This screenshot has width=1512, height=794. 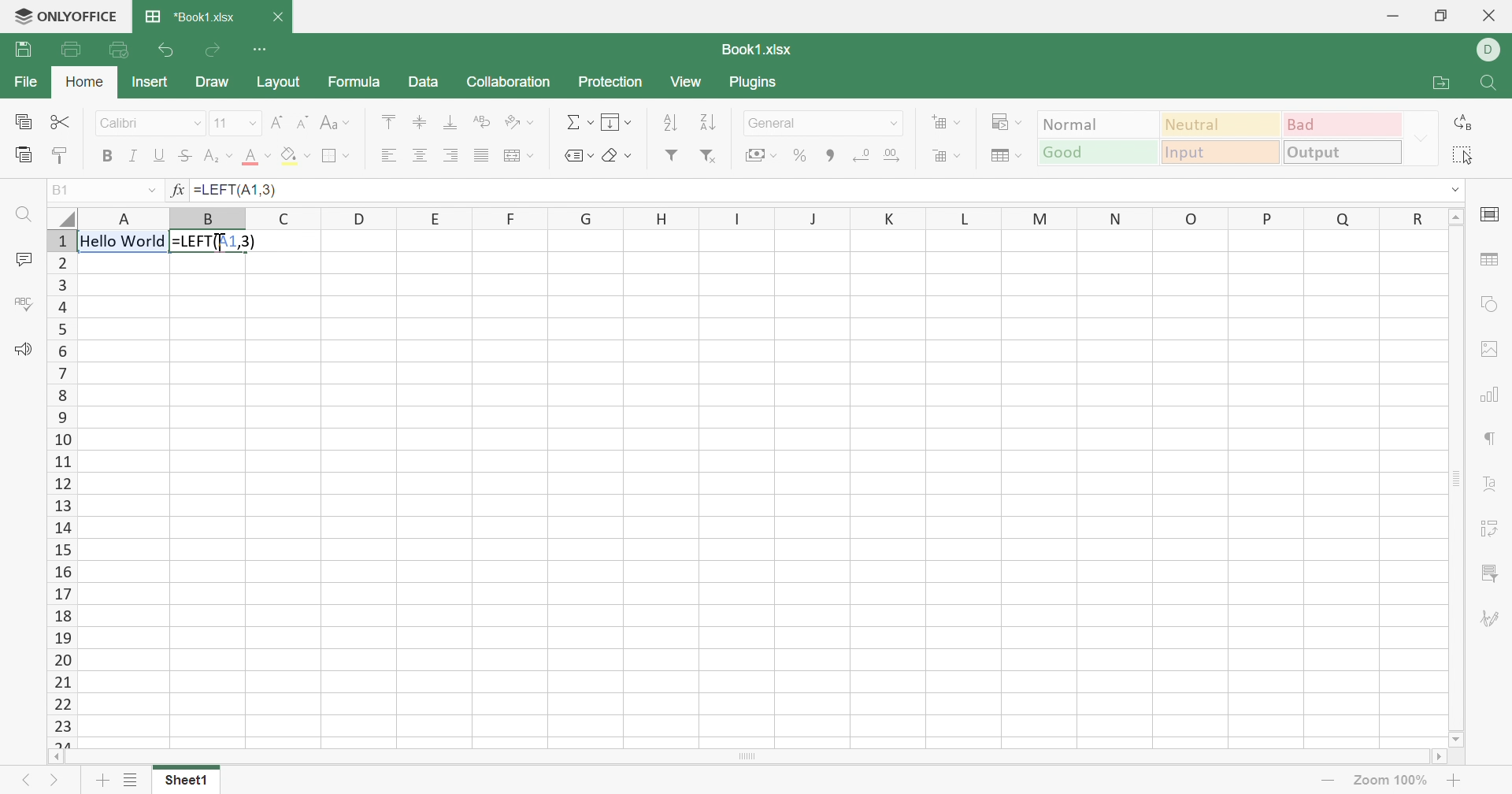 I want to click on Italic, so click(x=135, y=158).